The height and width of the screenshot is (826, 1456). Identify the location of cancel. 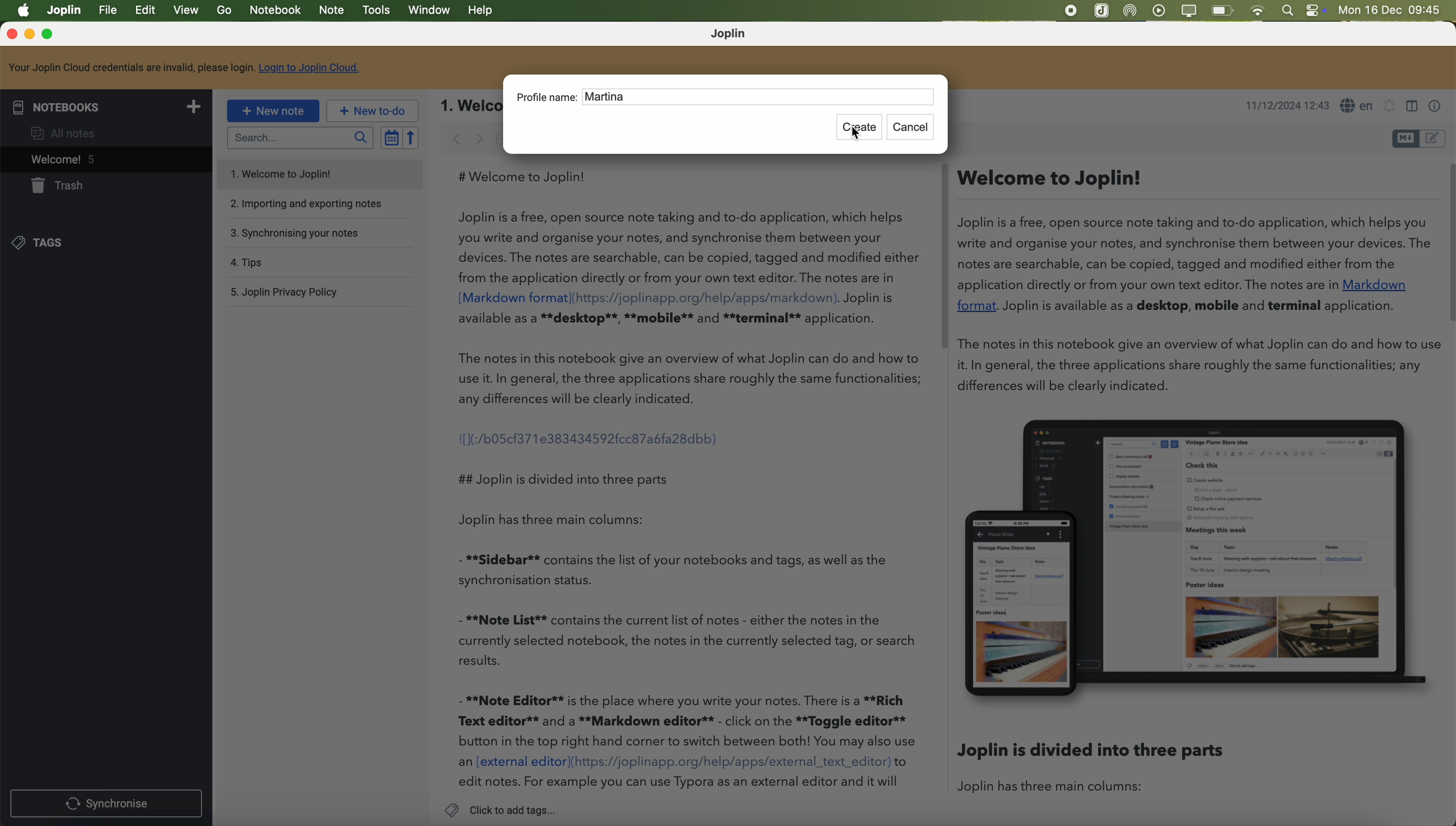
(913, 128).